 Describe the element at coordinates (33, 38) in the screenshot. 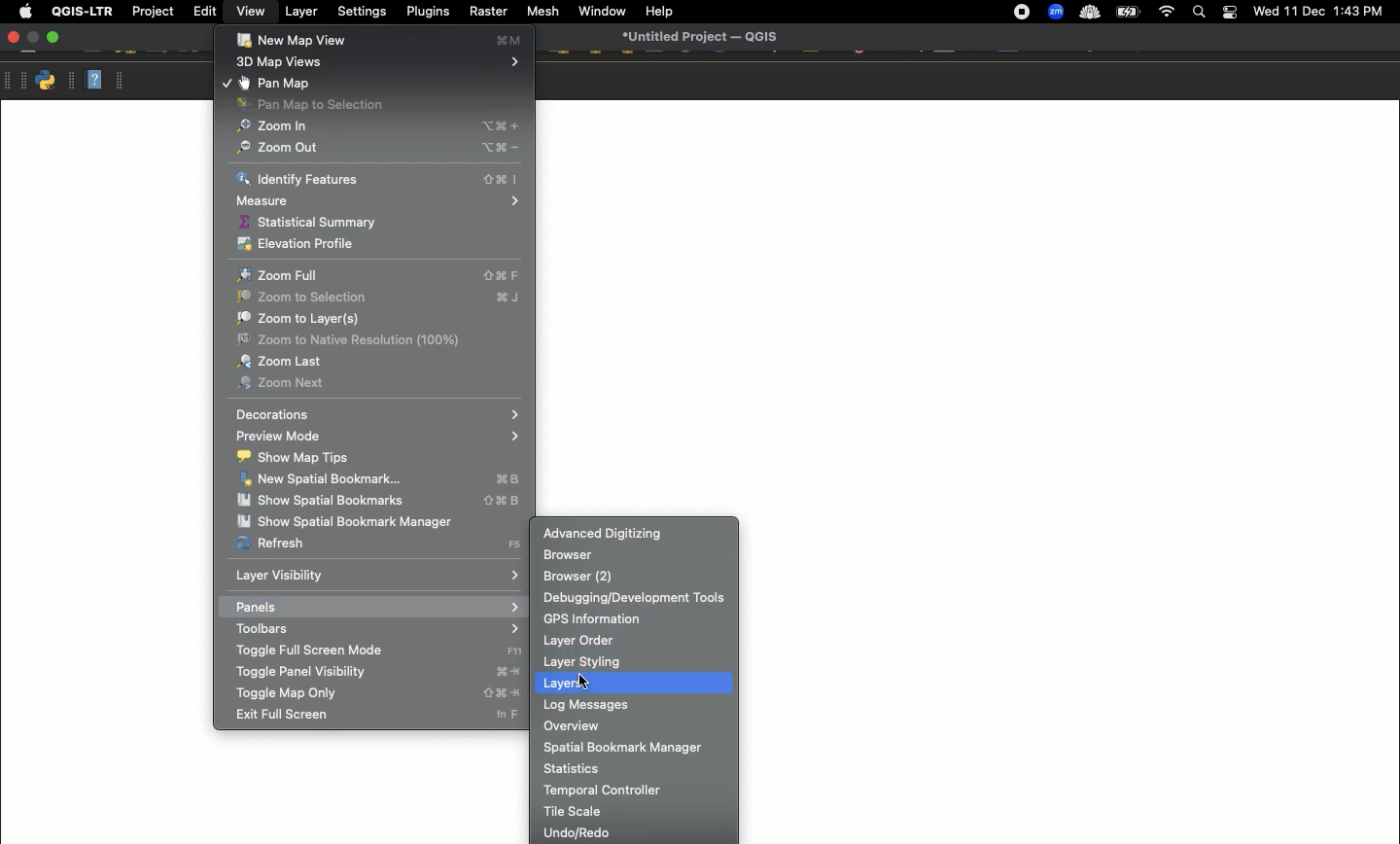

I see `Minimize` at that location.